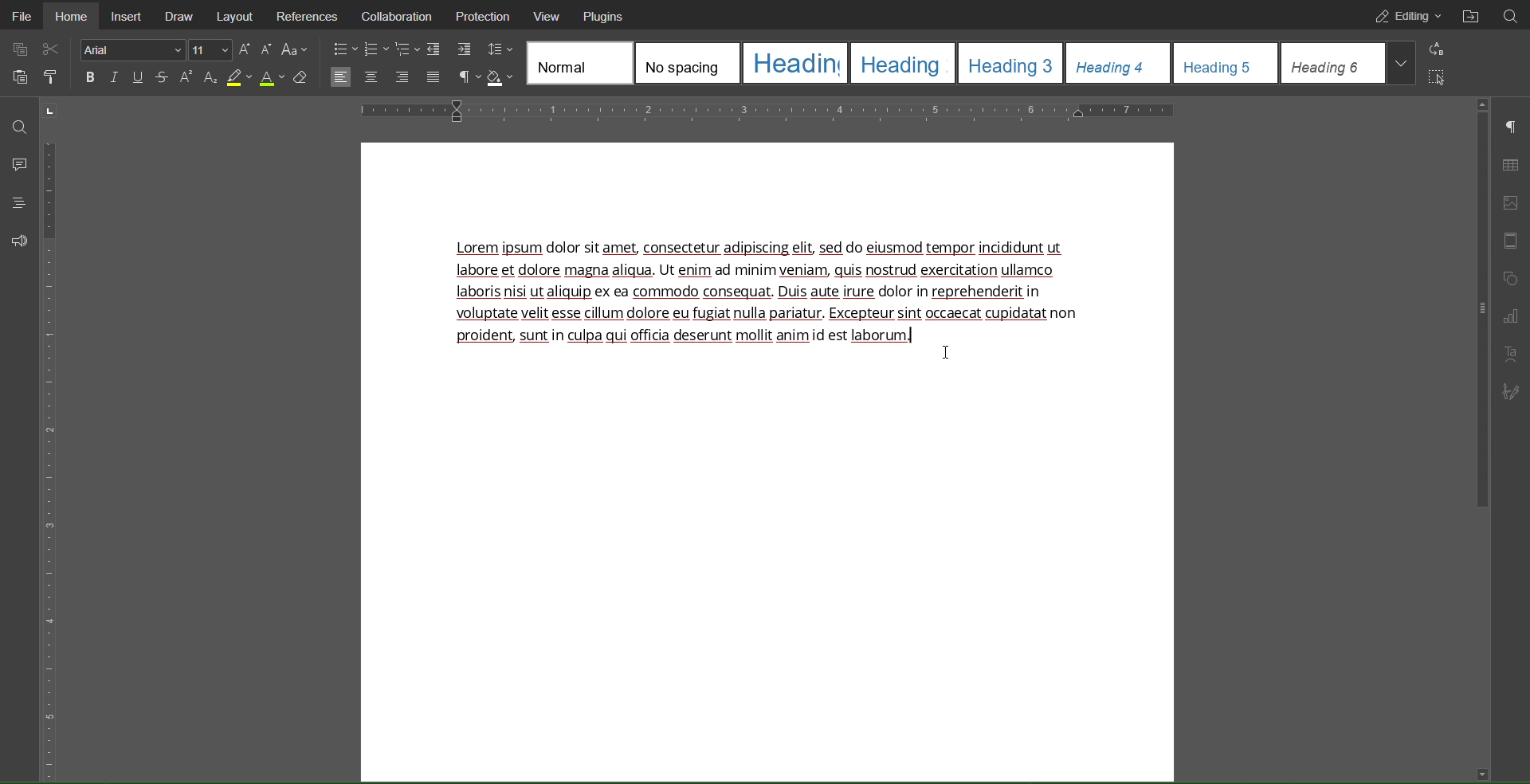 Image resolution: width=1530 pixels, height=784 pixels. I want to click on Word, so click(186, 78).